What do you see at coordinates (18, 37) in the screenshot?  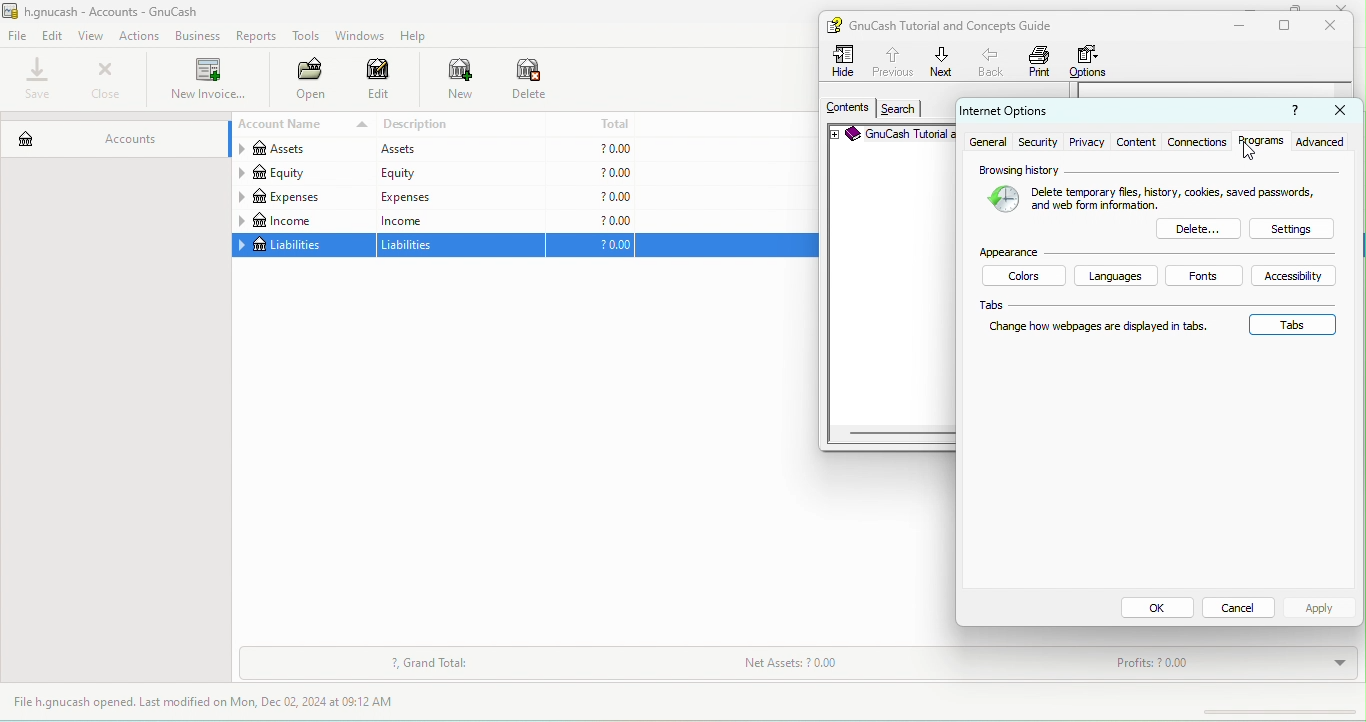 I see `file` at bounding box center [18, 37].